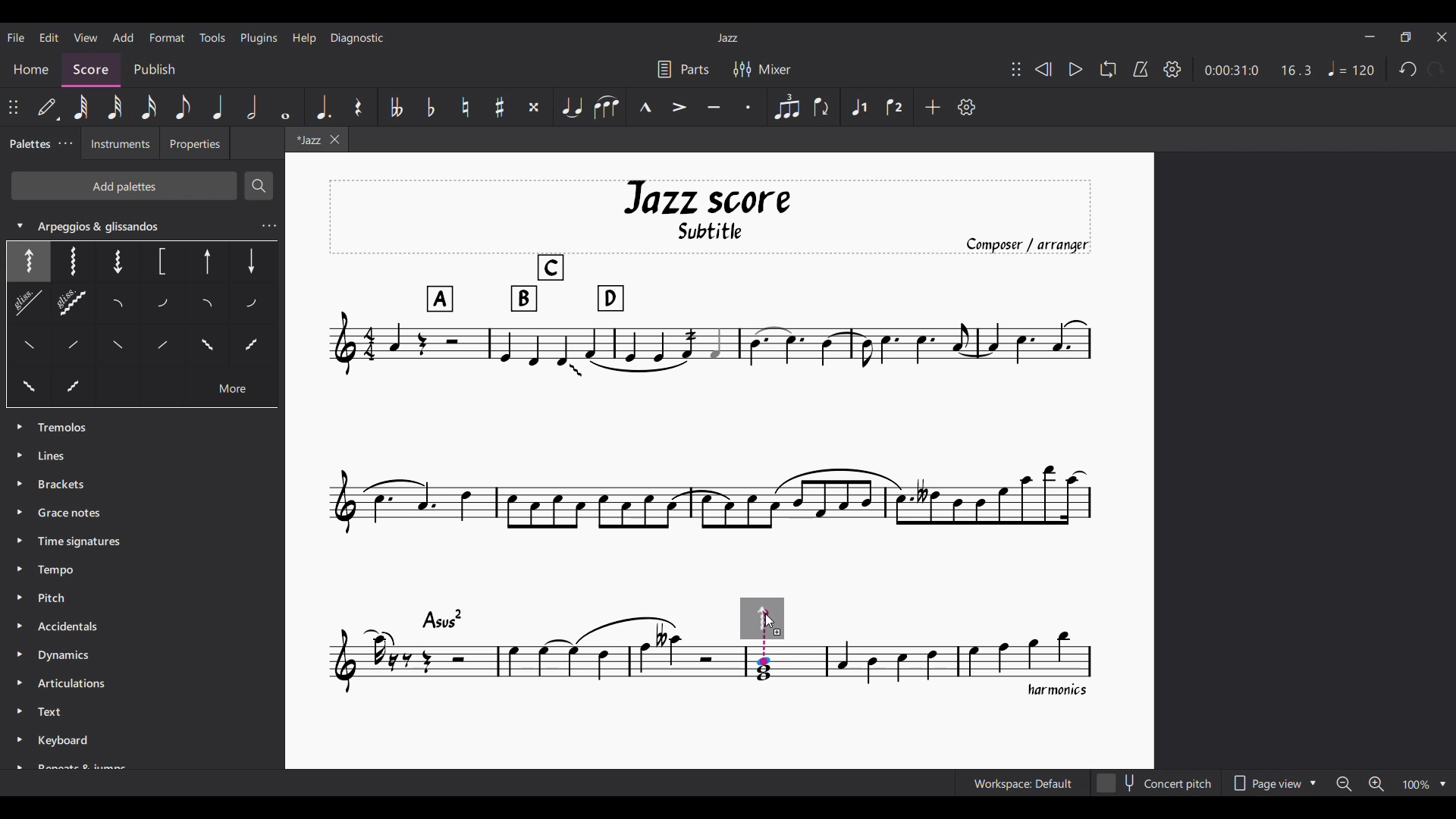  Describe the element at coordinates (88, 67) in the screenshot. I see `Score, current section highlighted` at that location.